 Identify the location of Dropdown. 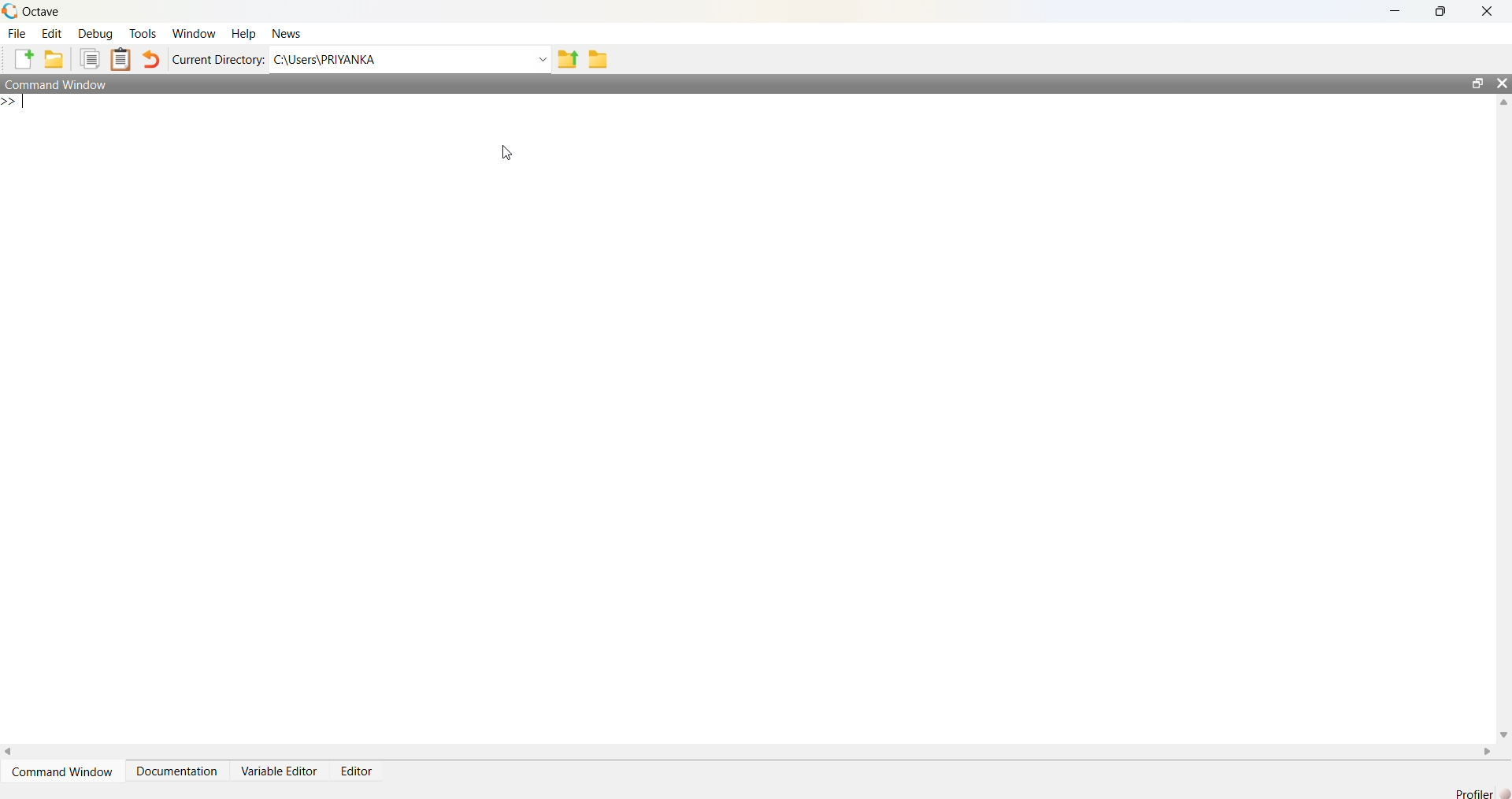
(540, 58).